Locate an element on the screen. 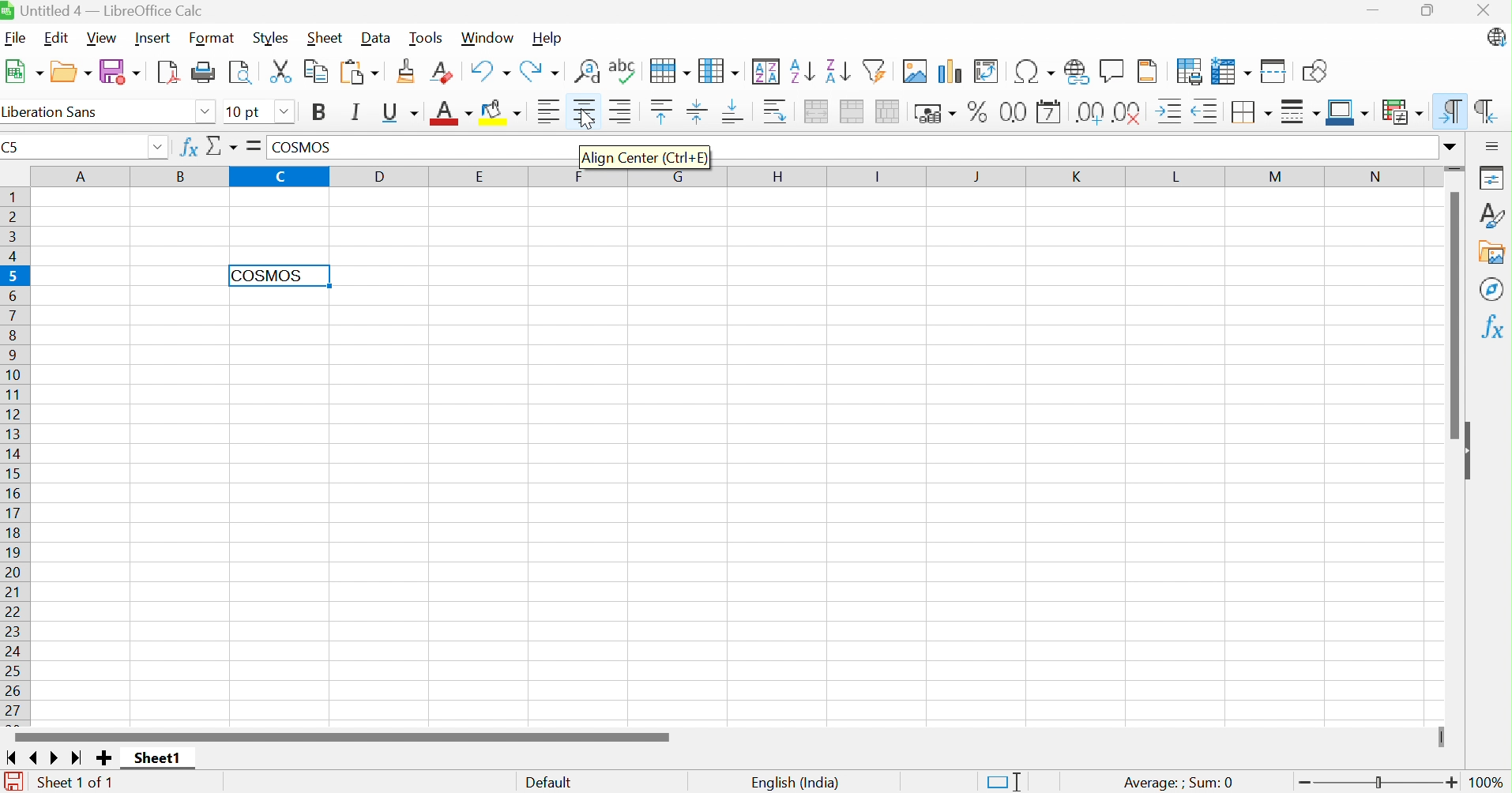 The width and height of the screenshot is (1512, 793). Print is located at coordinates (203, 73).